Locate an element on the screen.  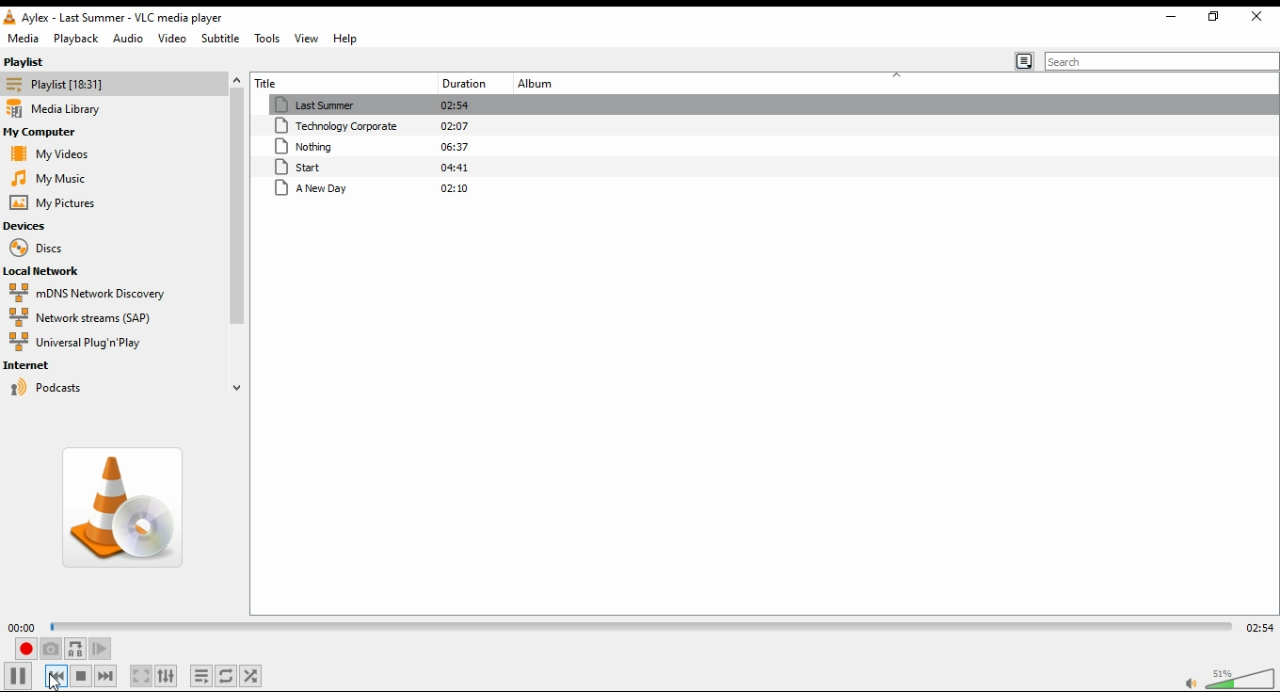
seek bar is located at coordinates (640, 626).